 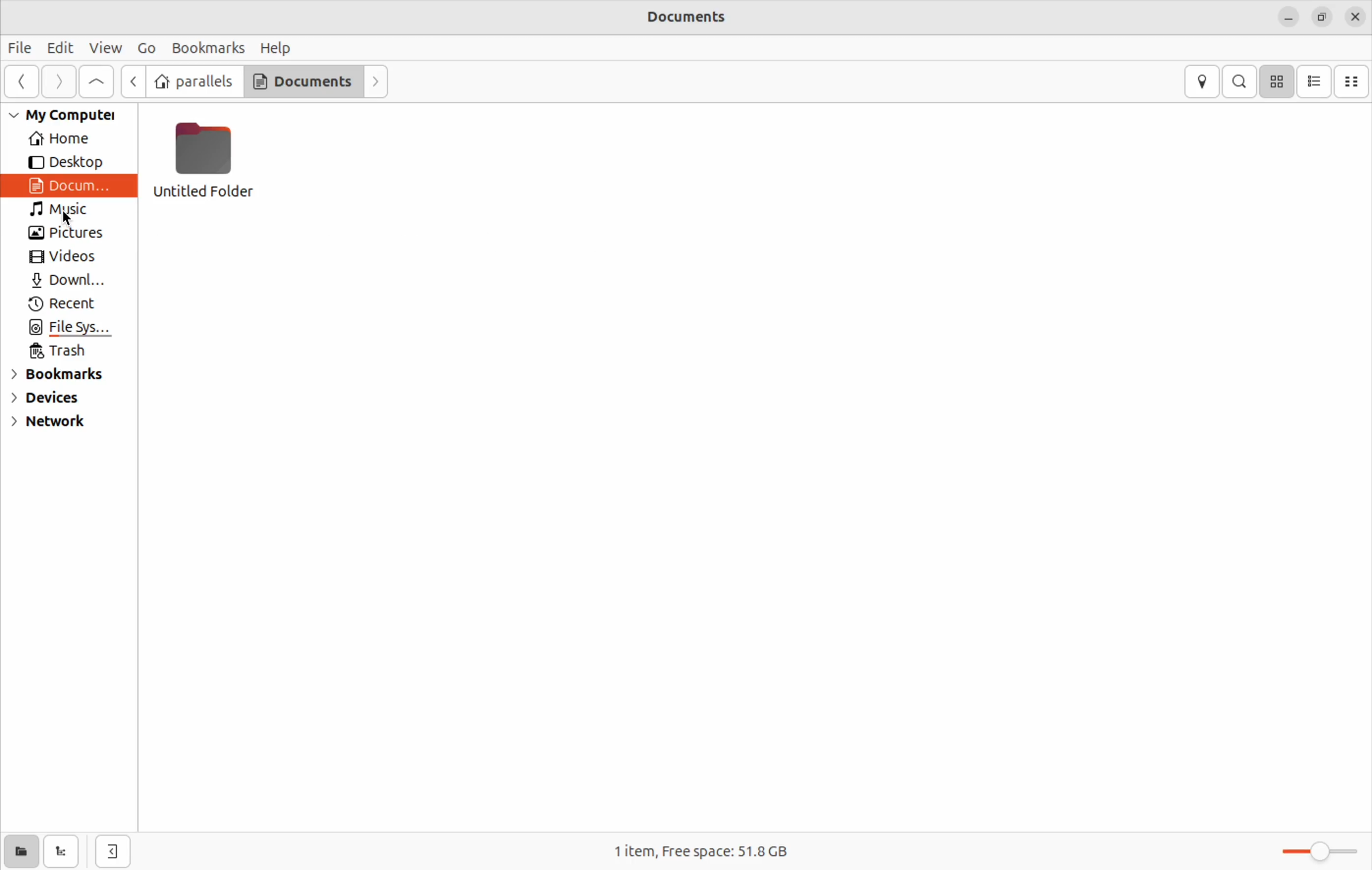 What do you see at coordinates (62, 115) in the screenshot?
I see `My Computer` at bounding box center [62, 115].